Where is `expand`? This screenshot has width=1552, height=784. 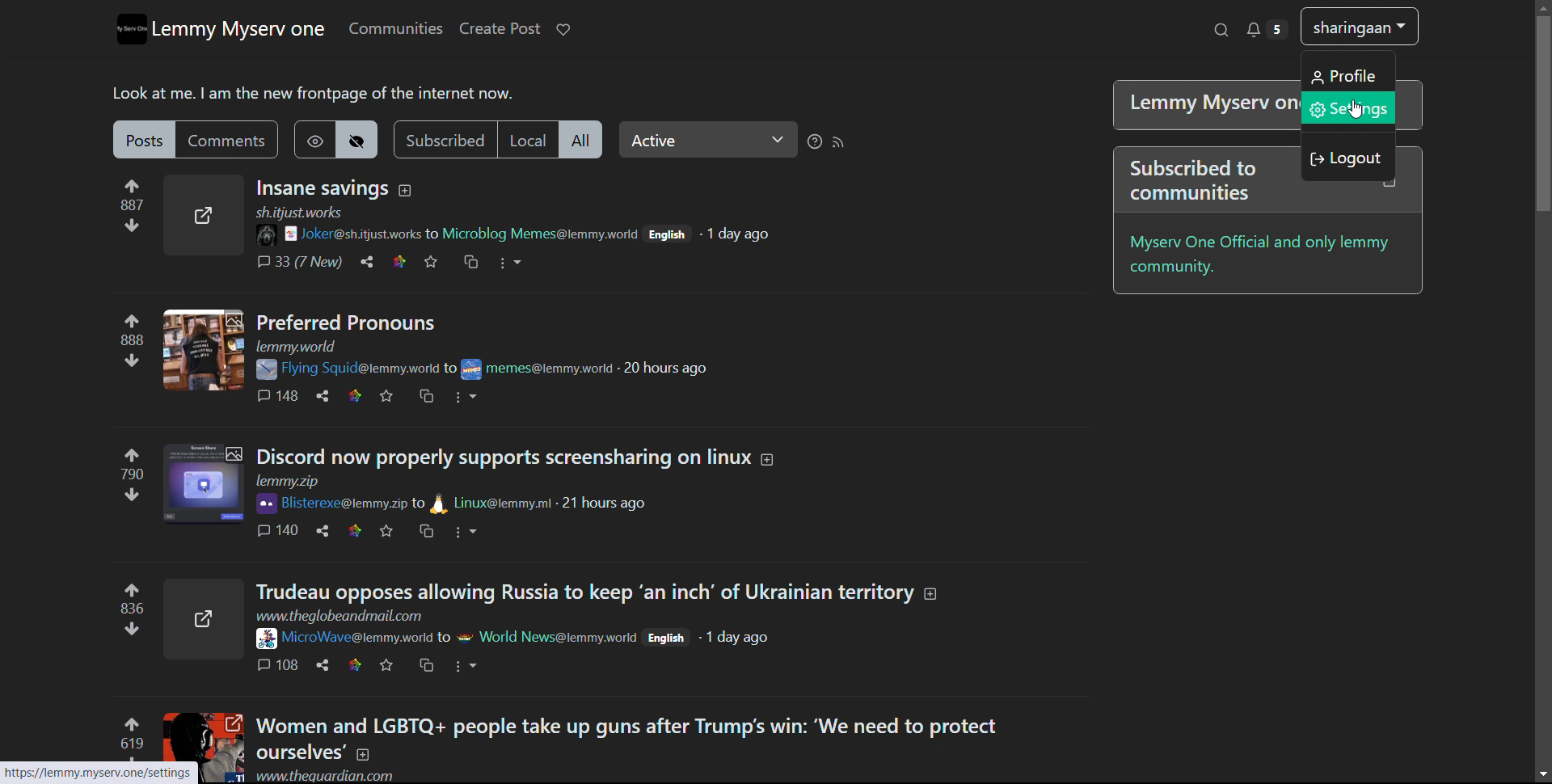 expand is located at coordinates (769, 457).